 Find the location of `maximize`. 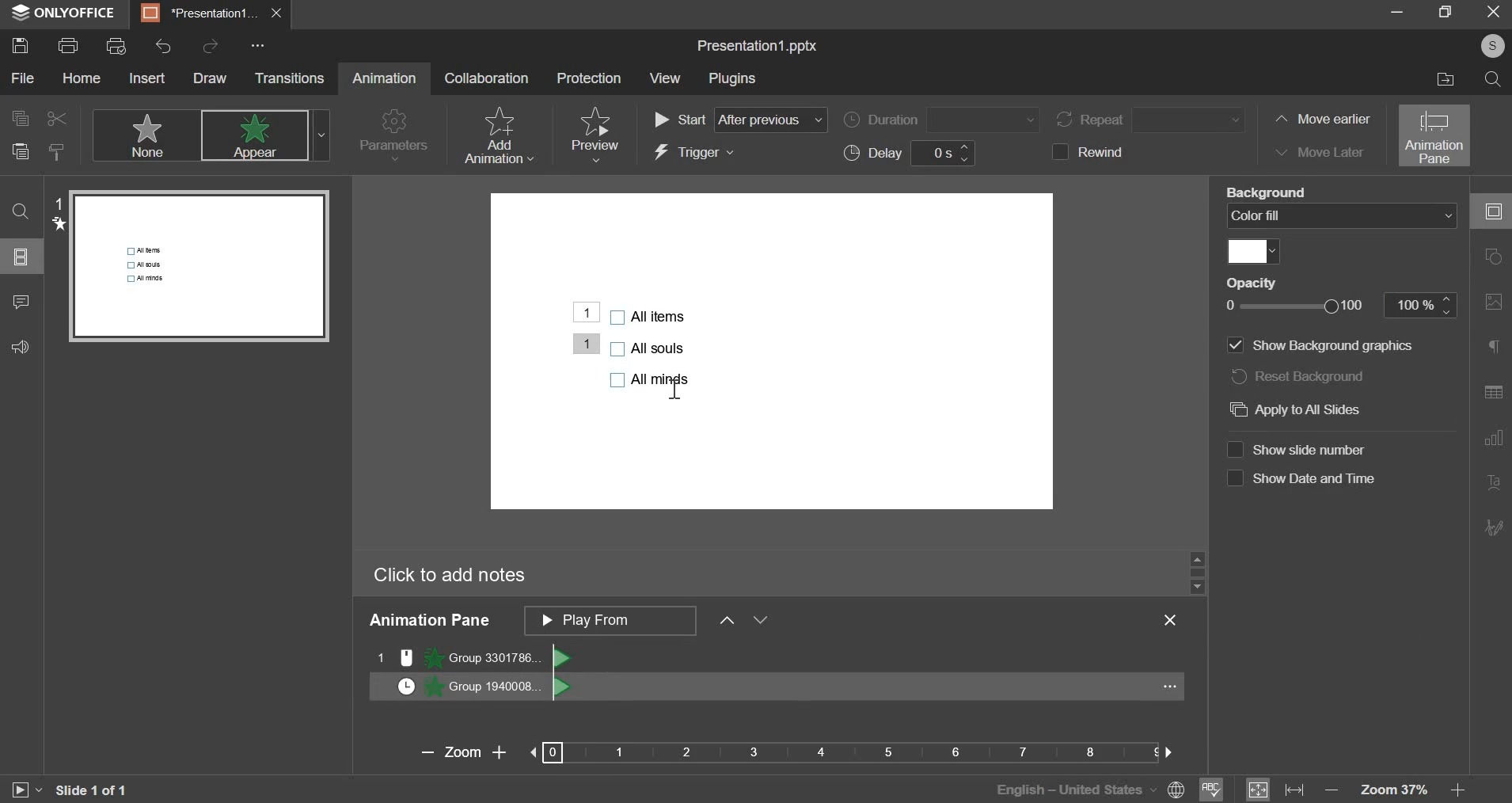

maximize is located at coordinates (1445, 13).